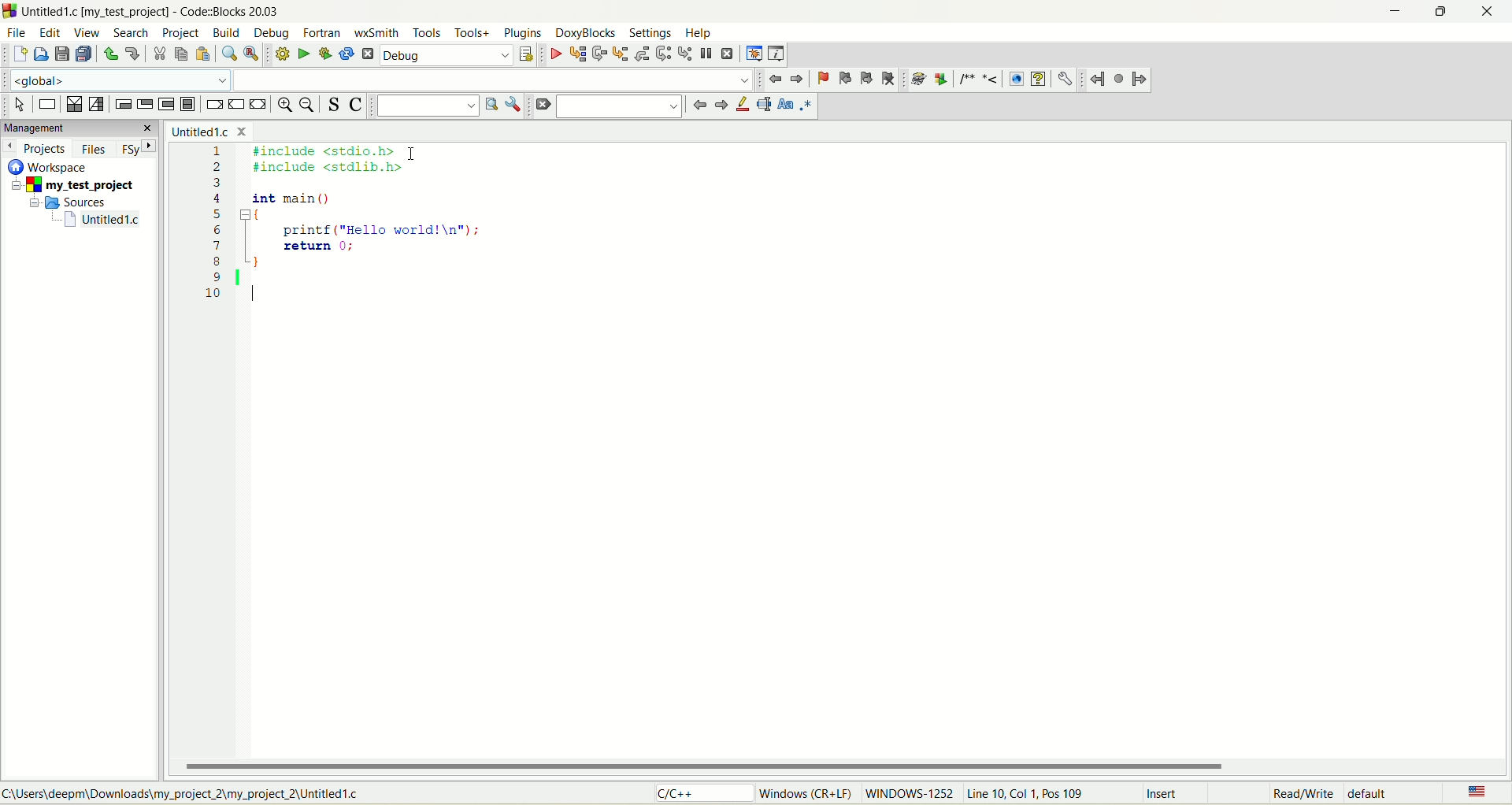 This screenshot has height=805, width=1512. Describe the element at coordinates (41, 54) in the screenshot. I see `open` at that location.